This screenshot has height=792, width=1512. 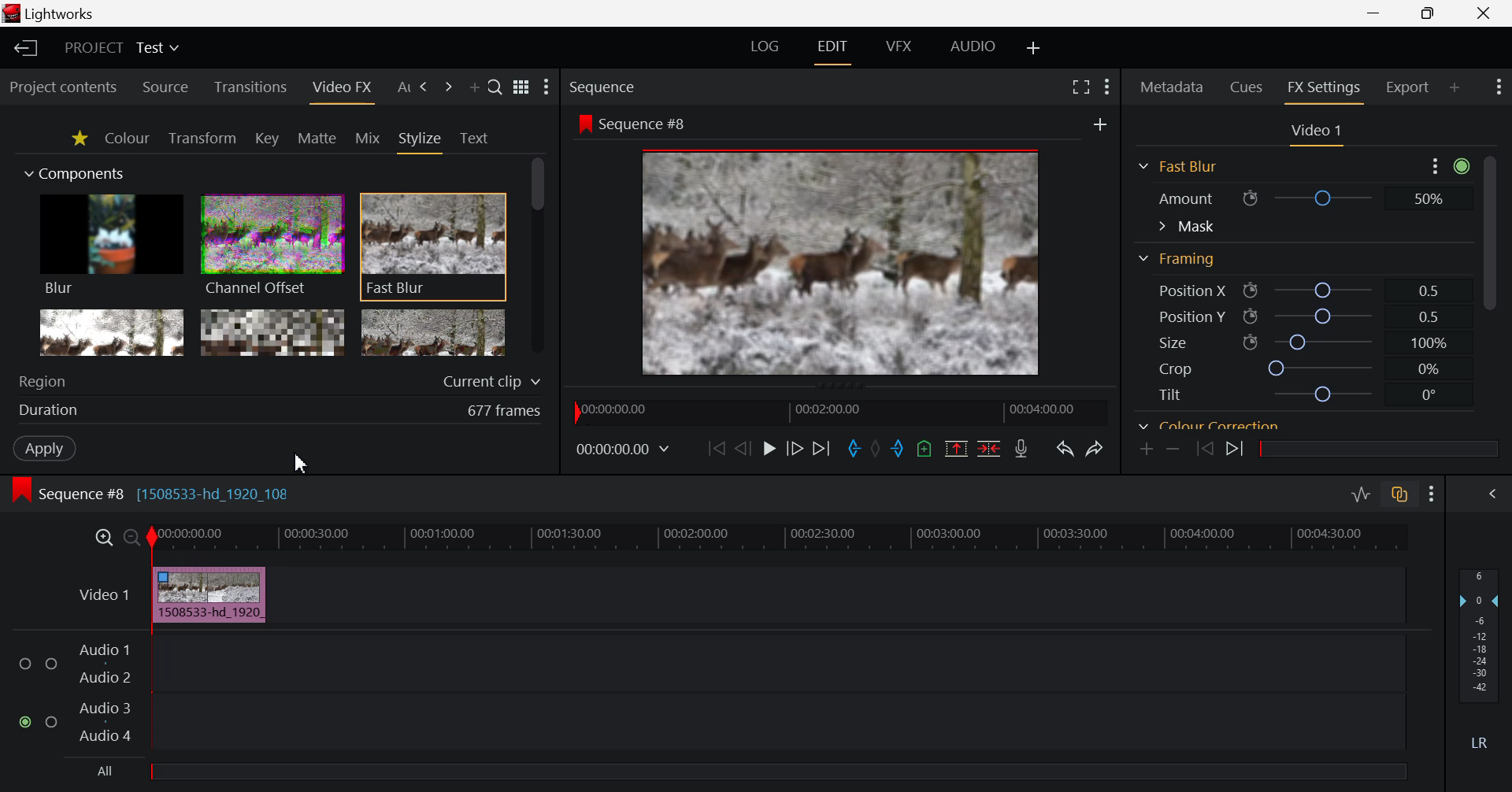 I want to click on Record Voiceover, so click(x=1021, y=451).